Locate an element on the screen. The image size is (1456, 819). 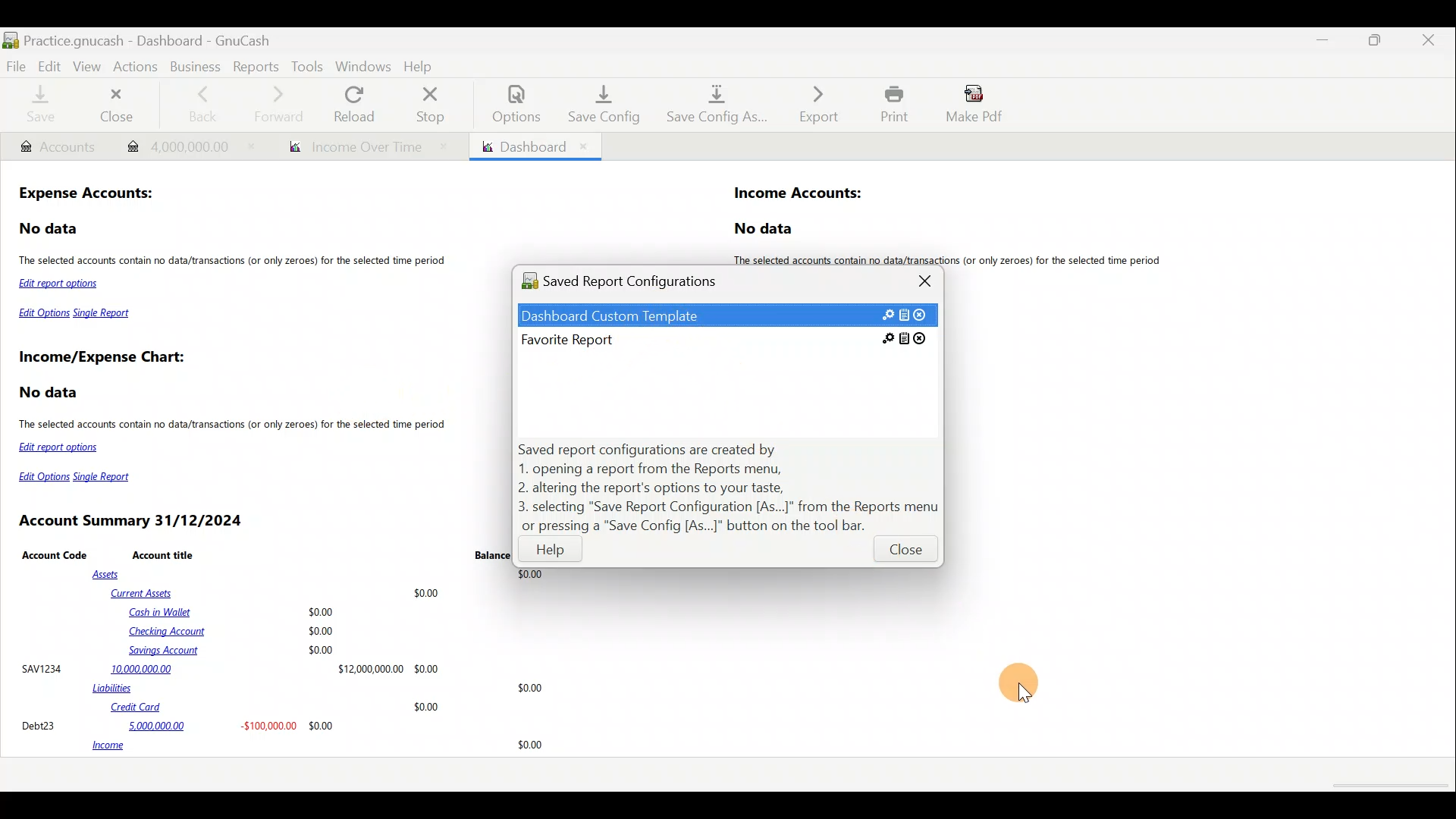
Report is located at coordinates (362, 147).